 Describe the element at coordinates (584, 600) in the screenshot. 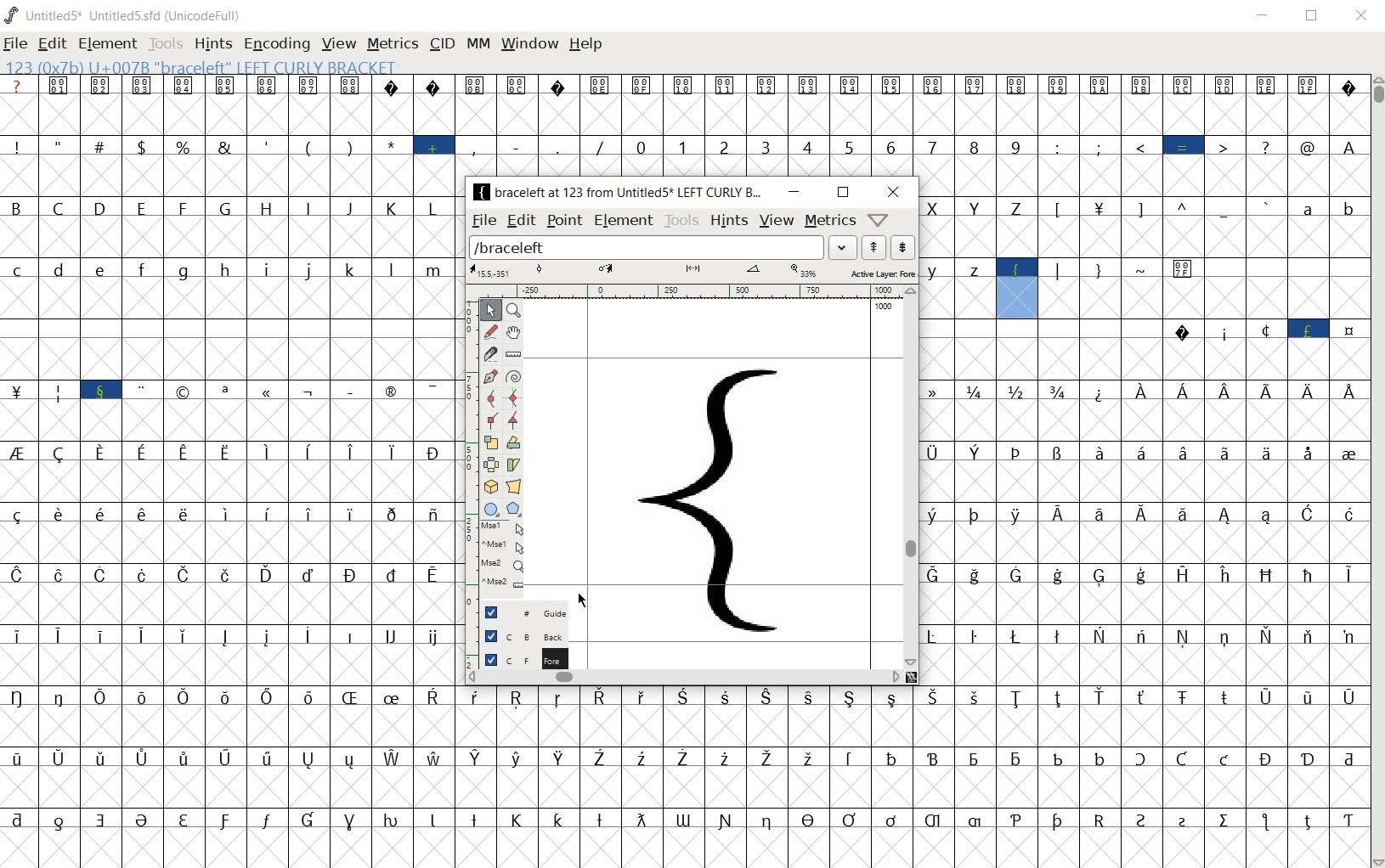

I see `cursor` at that location.